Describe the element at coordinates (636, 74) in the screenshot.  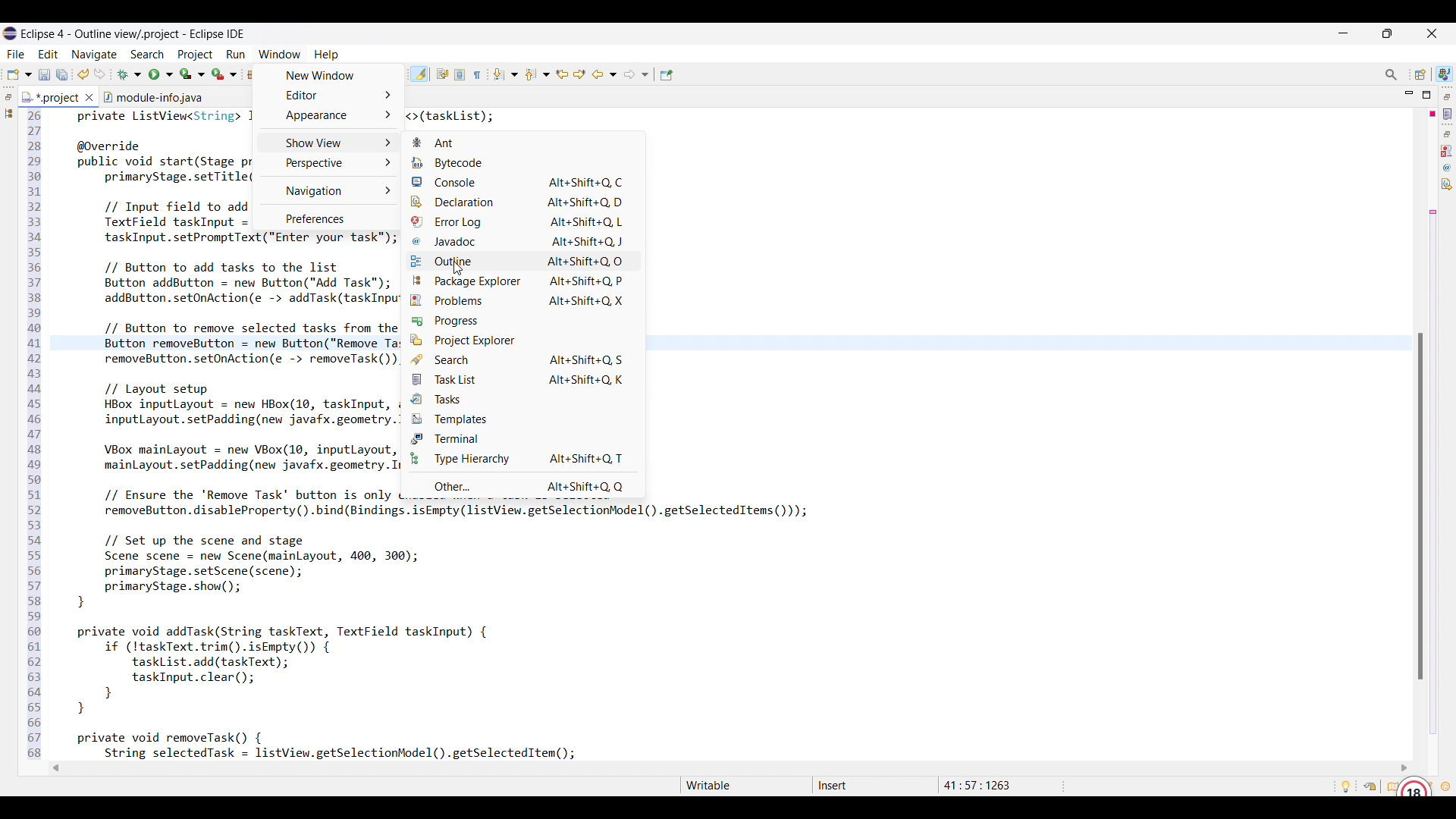
I see `Forward options` at that location.